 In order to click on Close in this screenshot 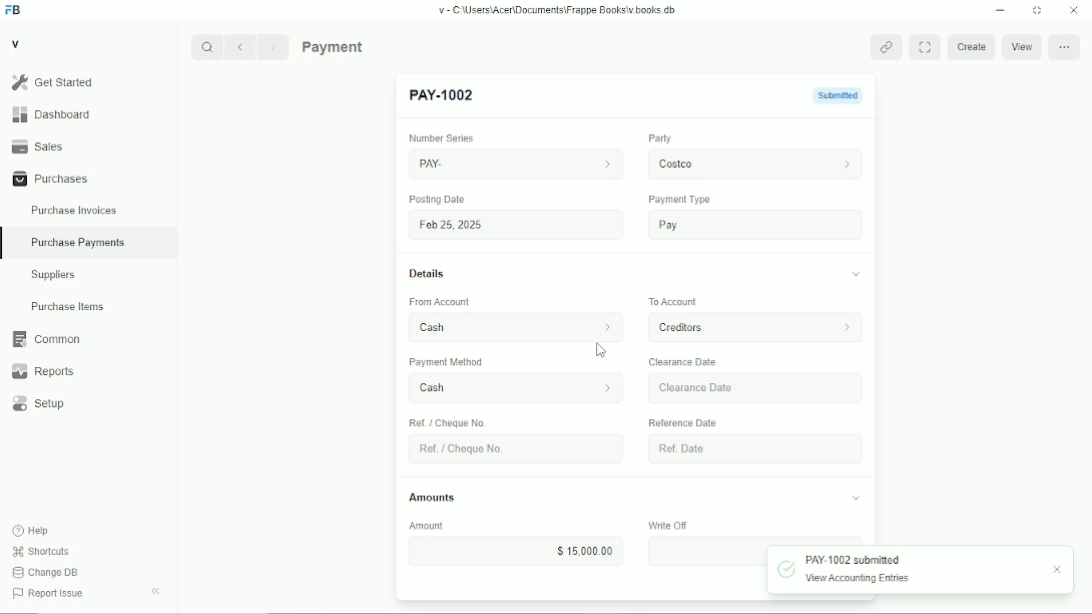, I will do `click(1074, 10)`.